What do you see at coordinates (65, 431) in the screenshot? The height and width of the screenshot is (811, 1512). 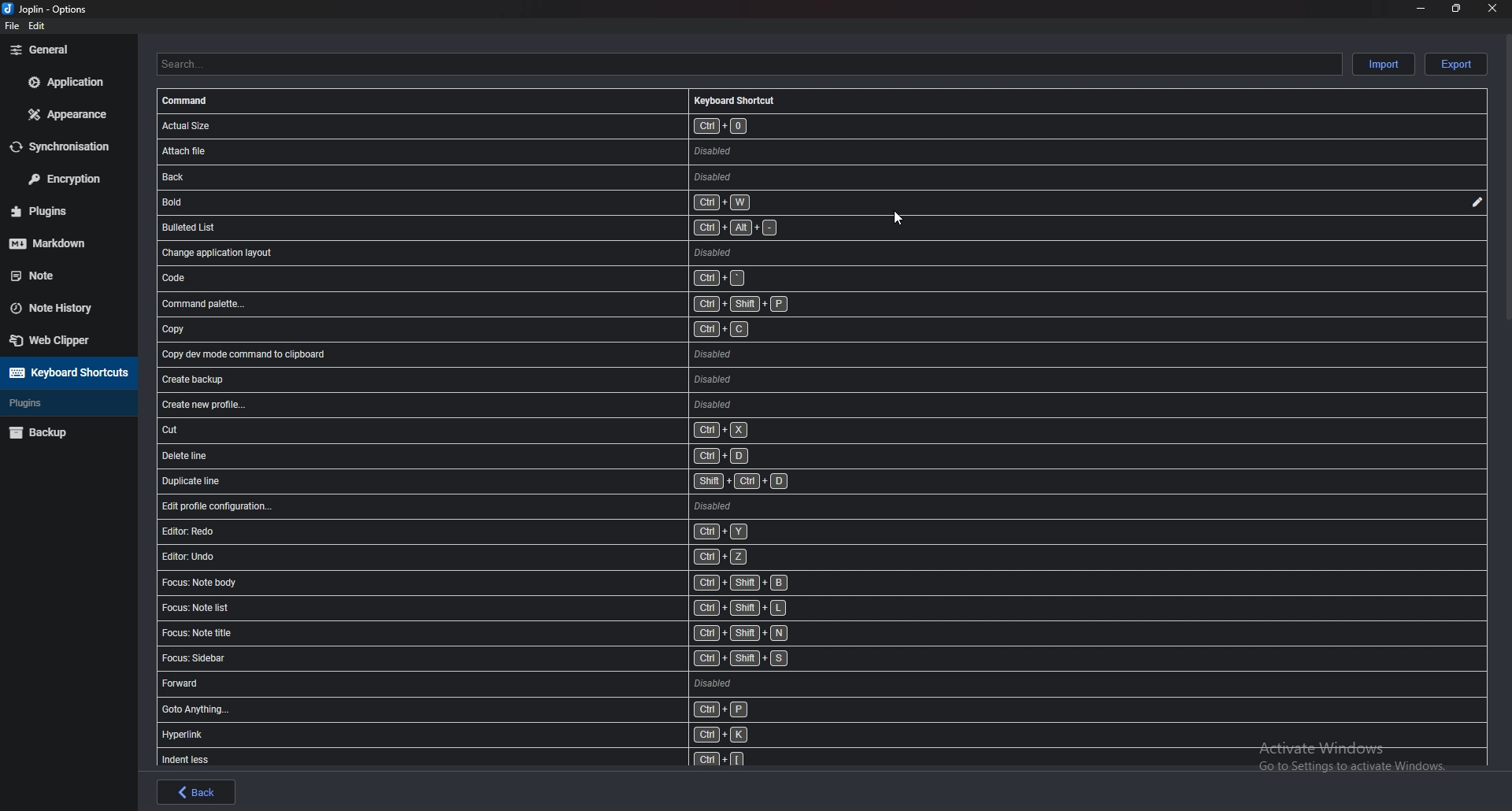 I see `Backup` at bounding box center [65, 431].